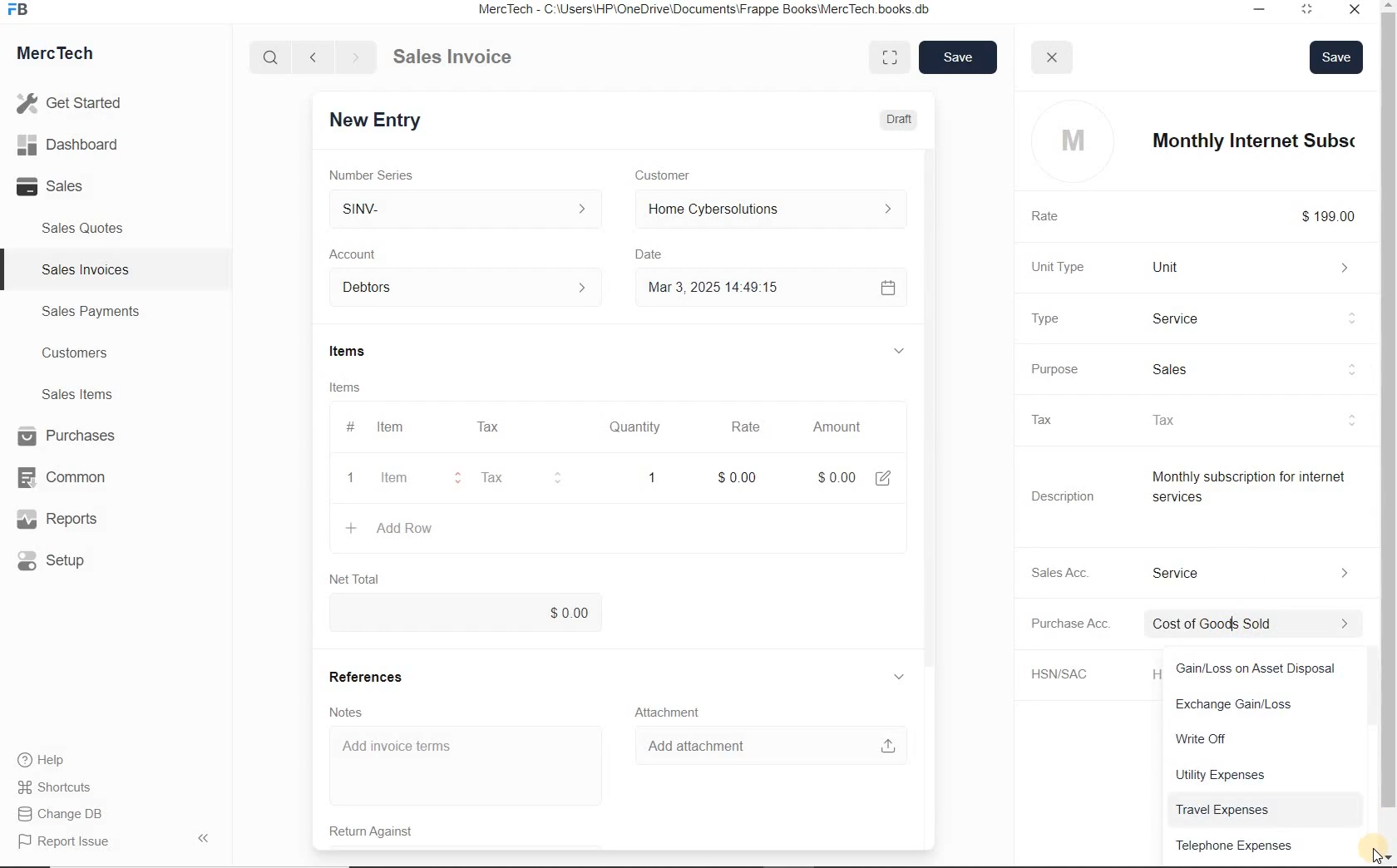  Describe the element at coordinates (1261, 845) in the screenshot. I see `Telephone Expenses.` at that location.